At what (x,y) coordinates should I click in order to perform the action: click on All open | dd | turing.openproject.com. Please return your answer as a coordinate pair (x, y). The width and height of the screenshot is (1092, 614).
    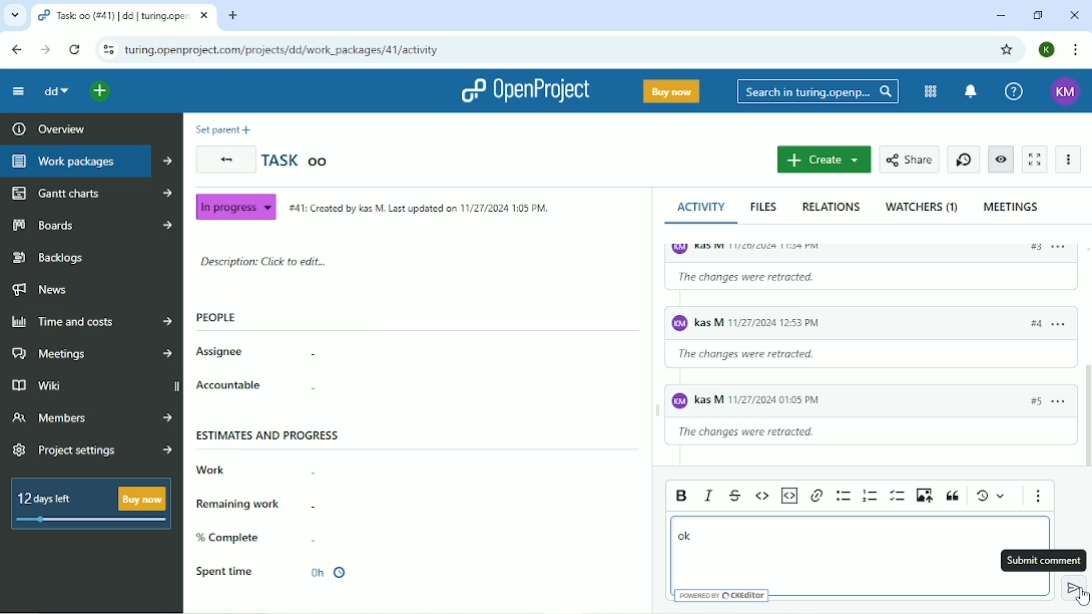
    Looking at the image, I should click on (122, 16).